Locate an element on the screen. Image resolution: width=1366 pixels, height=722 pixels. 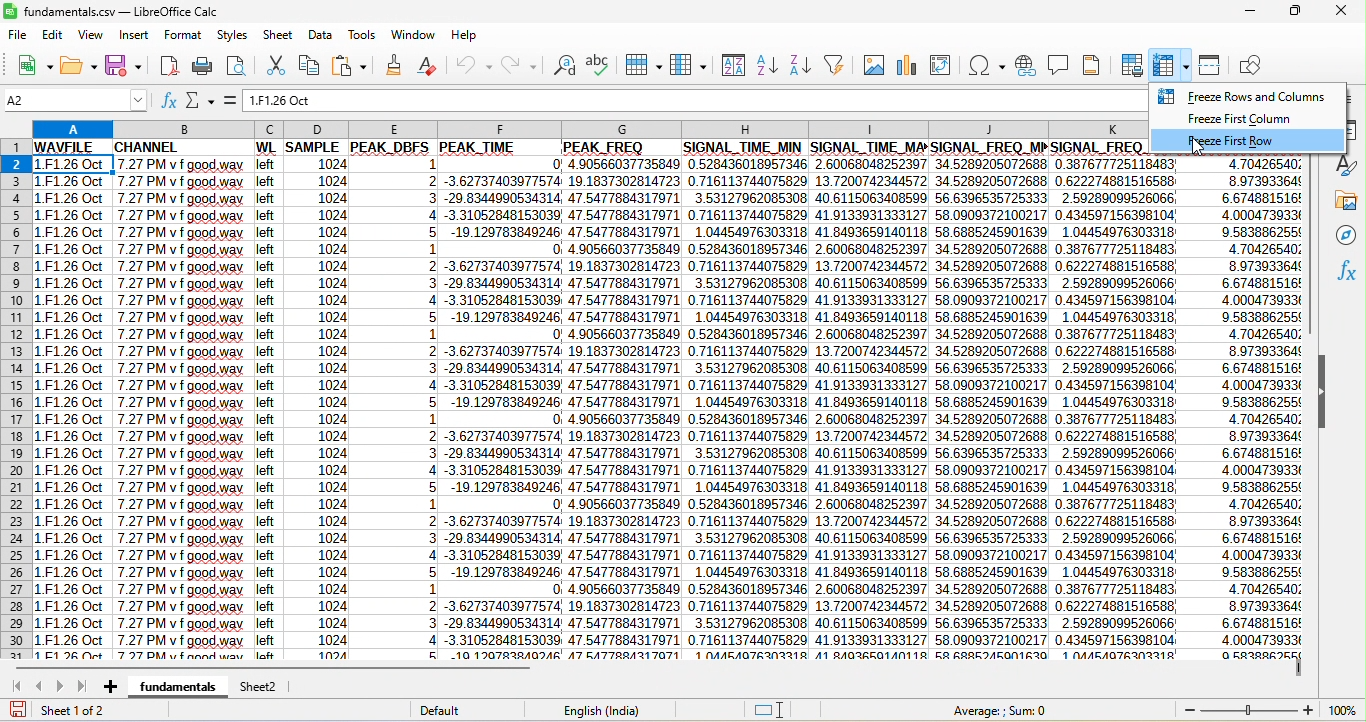
clear direct formatting is located at coordinates (428, 66).